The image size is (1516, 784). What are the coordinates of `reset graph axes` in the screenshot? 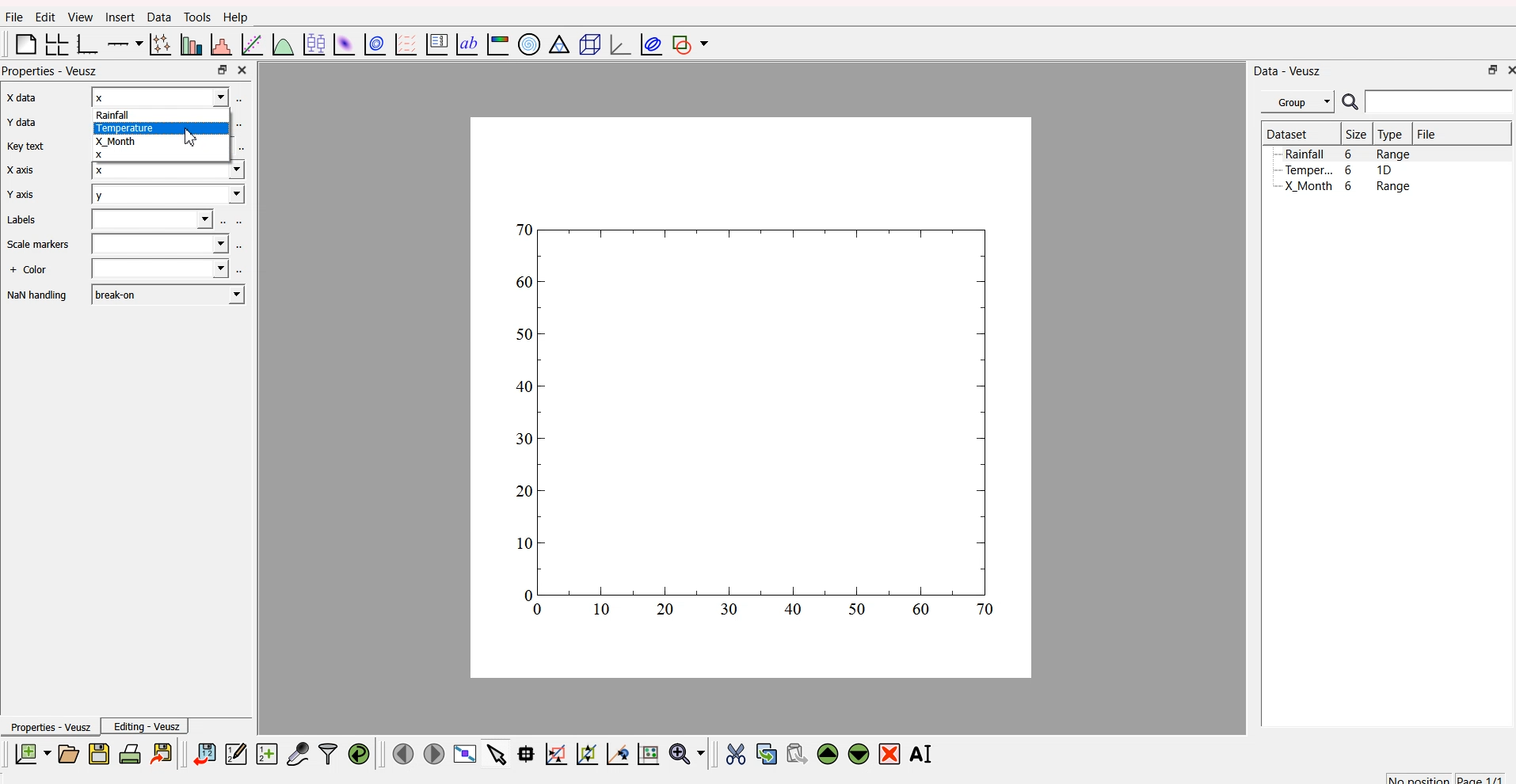 It's located at (651, 752).